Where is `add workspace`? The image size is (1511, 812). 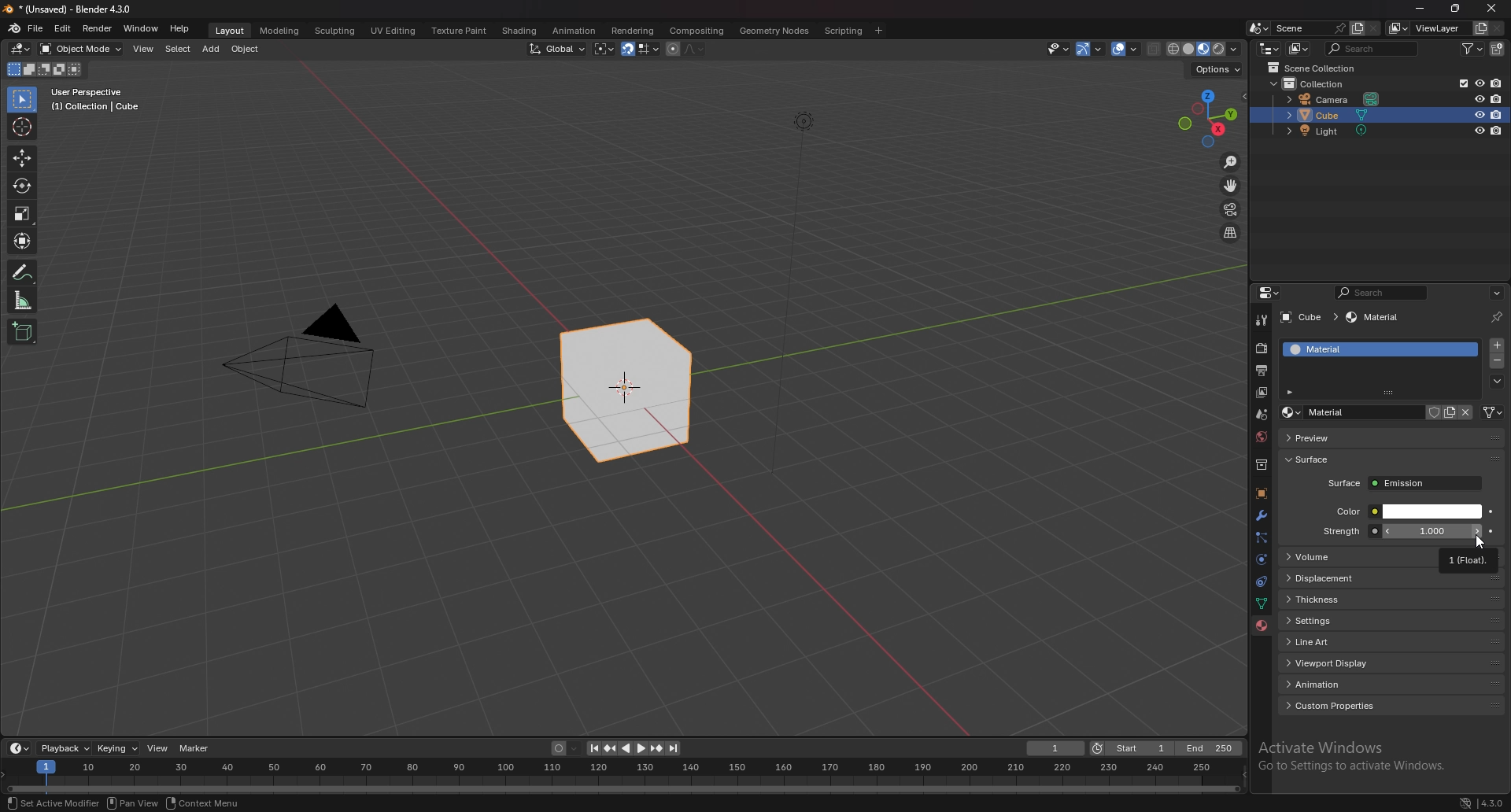
add workspace is located at coordinates (878, 30).